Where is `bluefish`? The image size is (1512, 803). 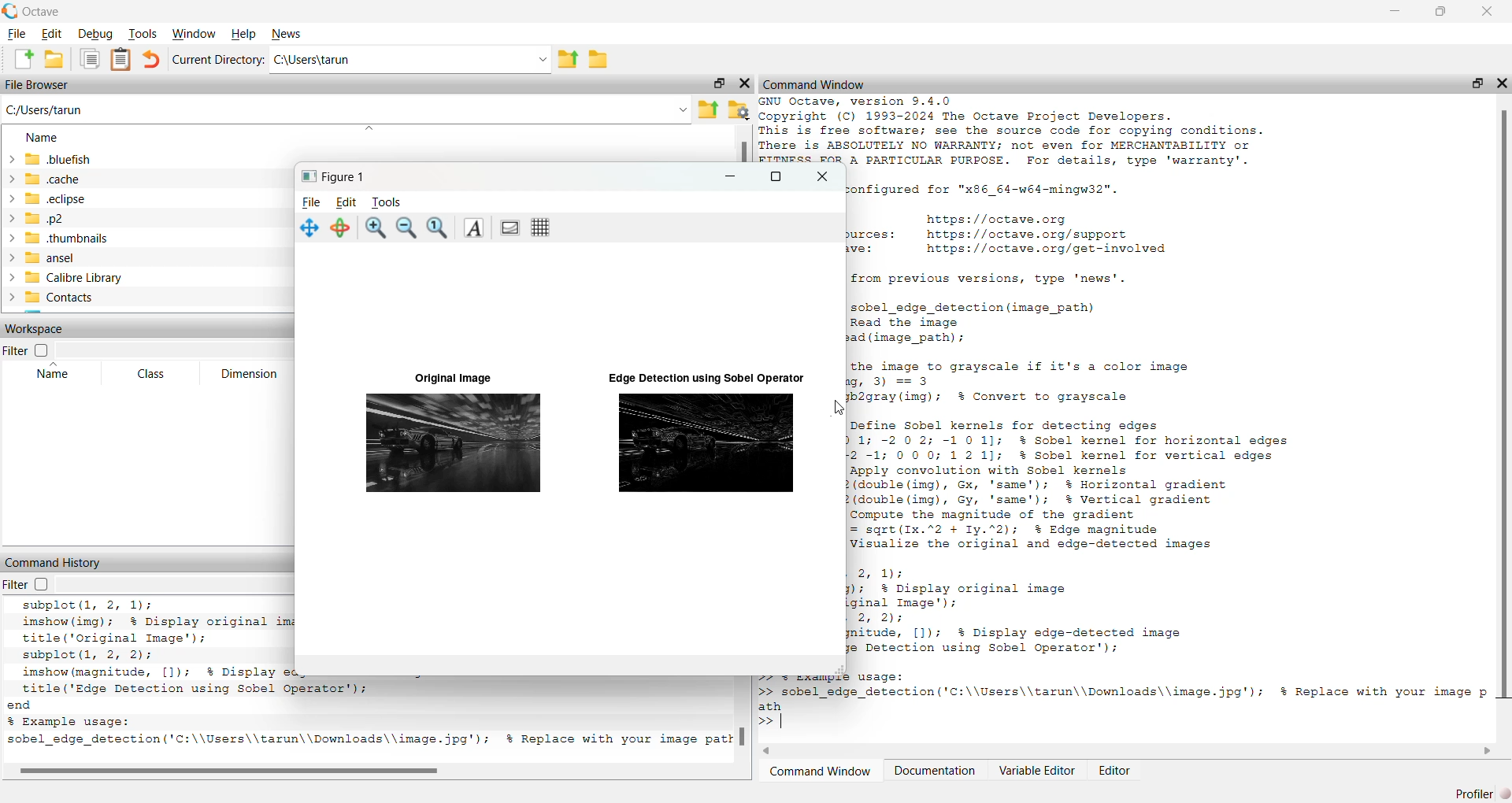
bluefish is located at coordinates (51, 159).